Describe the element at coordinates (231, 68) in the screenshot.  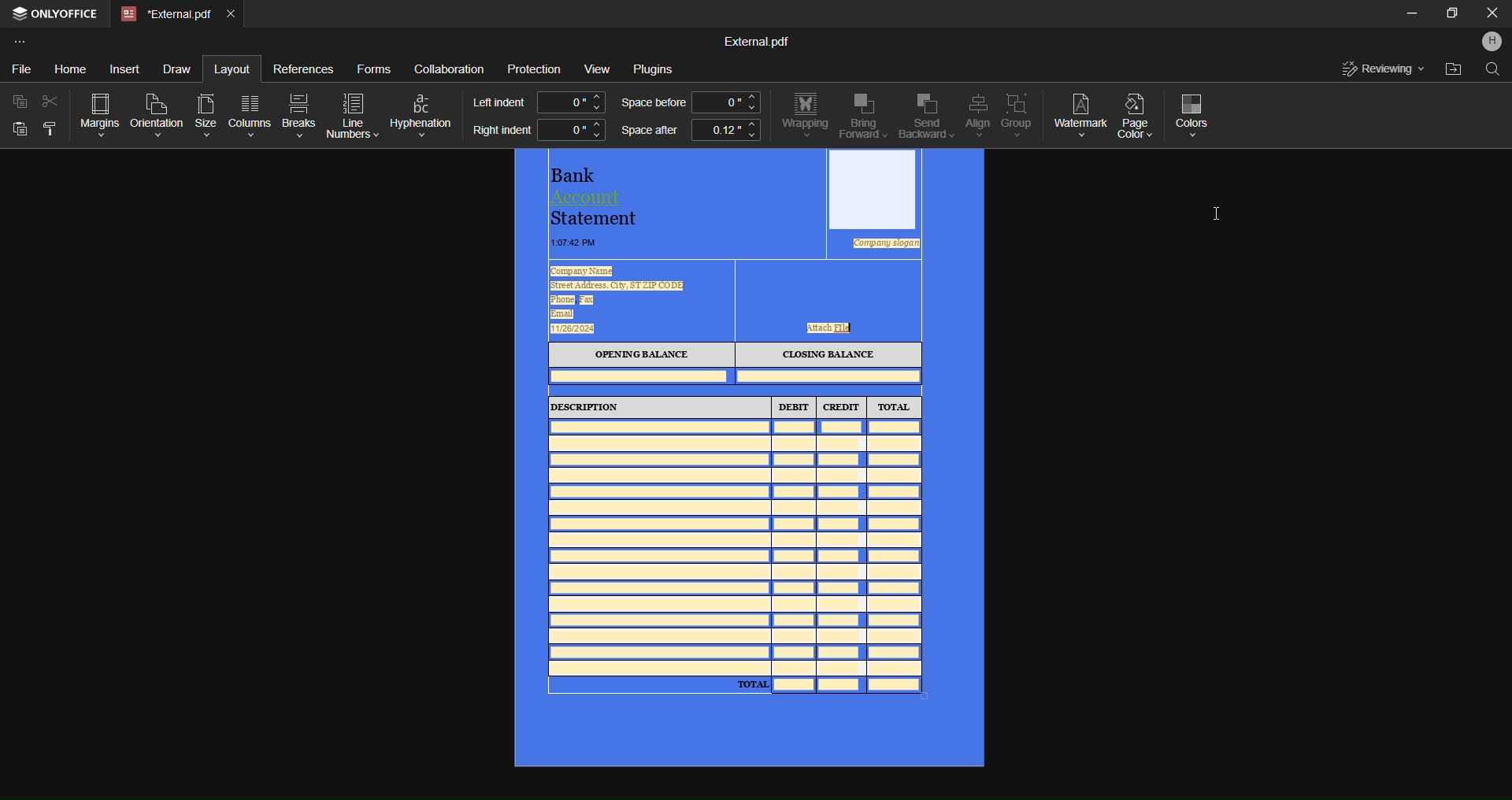
I see `Layout` at that location.